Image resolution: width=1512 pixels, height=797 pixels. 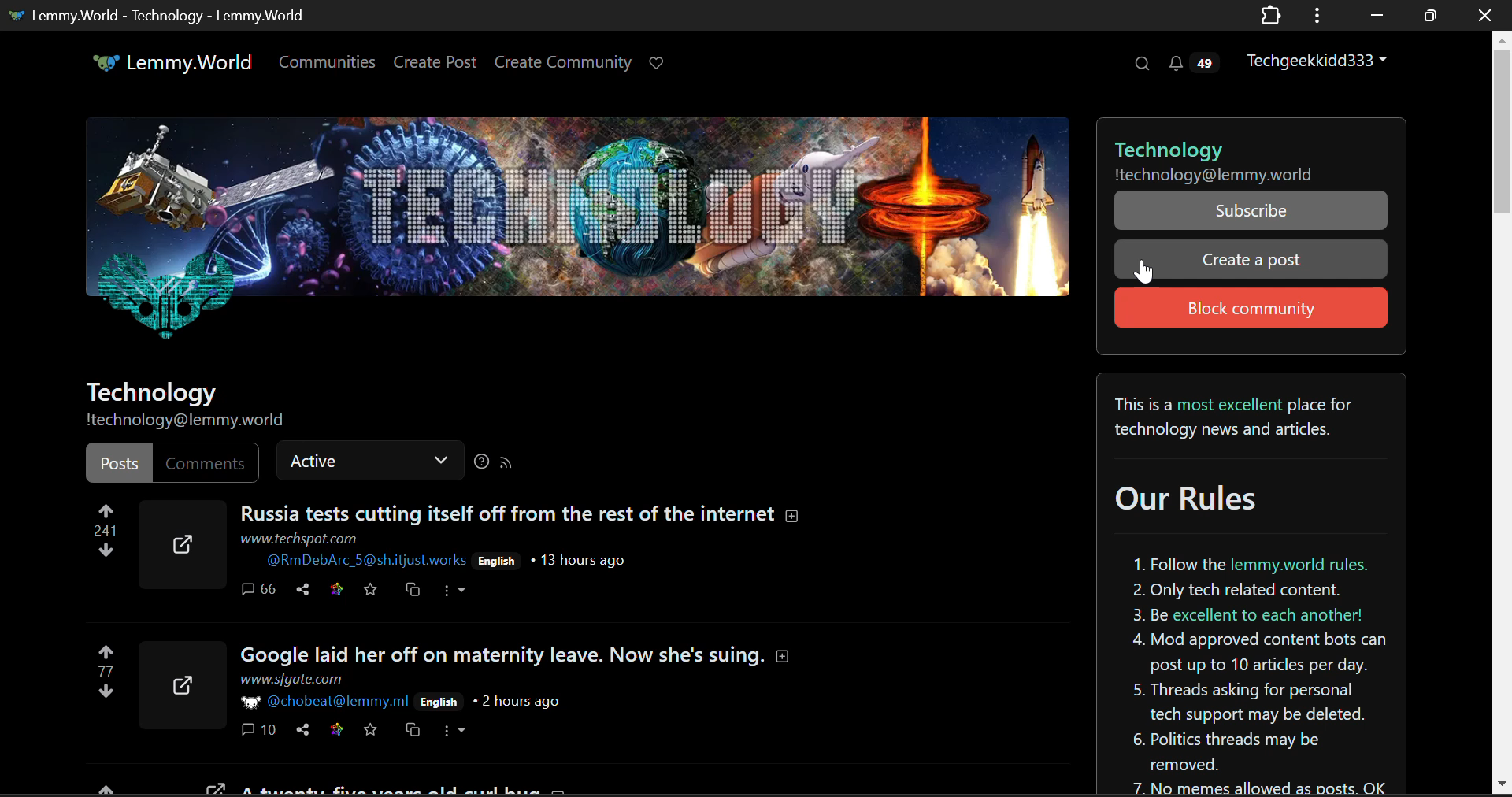 What do you see at coordinates (454, 591) in the screenshot?
I see `More Options` at bounding box center [454, 591].